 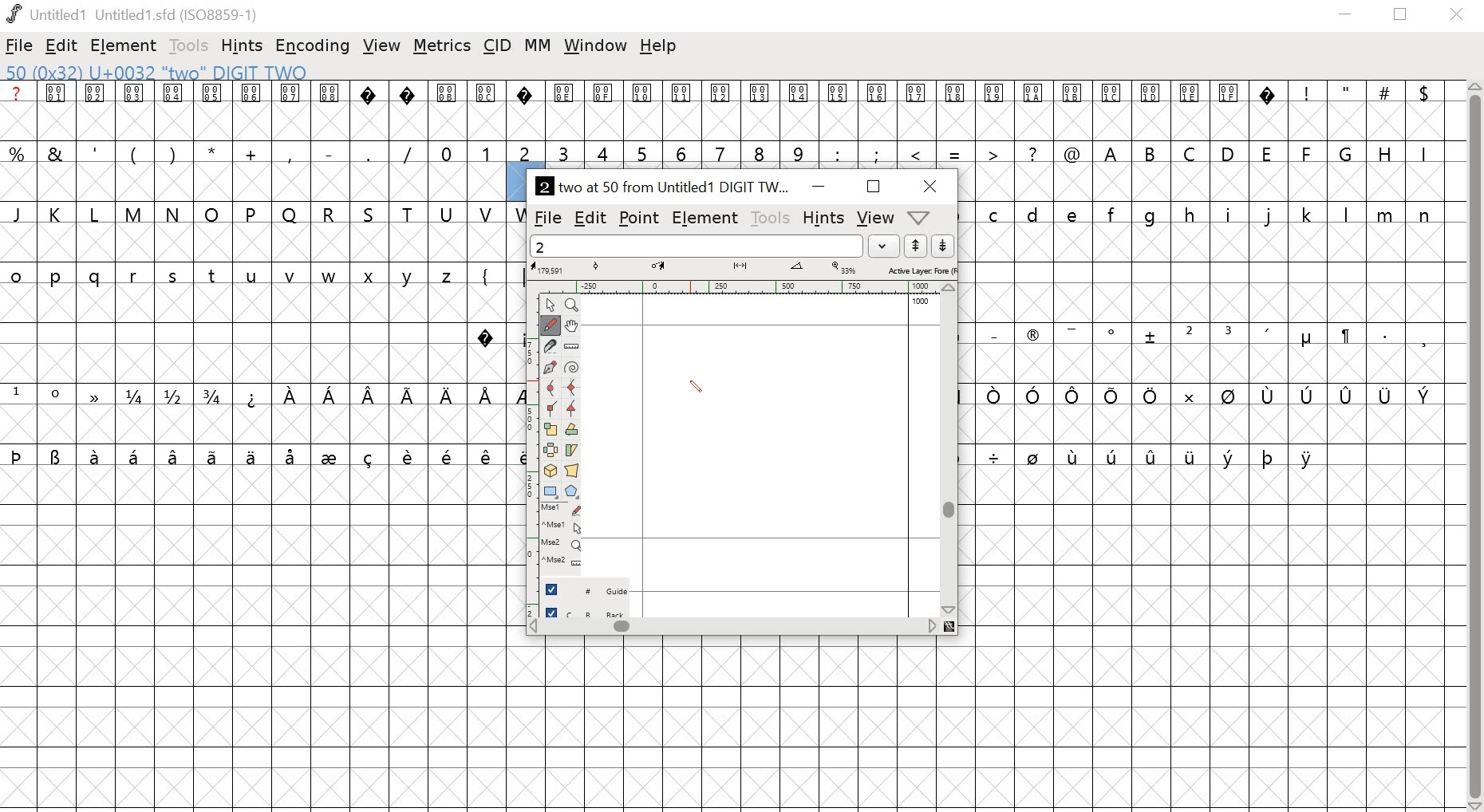 What do you see at coordinates (916, 246) in the screenshot?
I see `up` at bounding box center [916, 246].